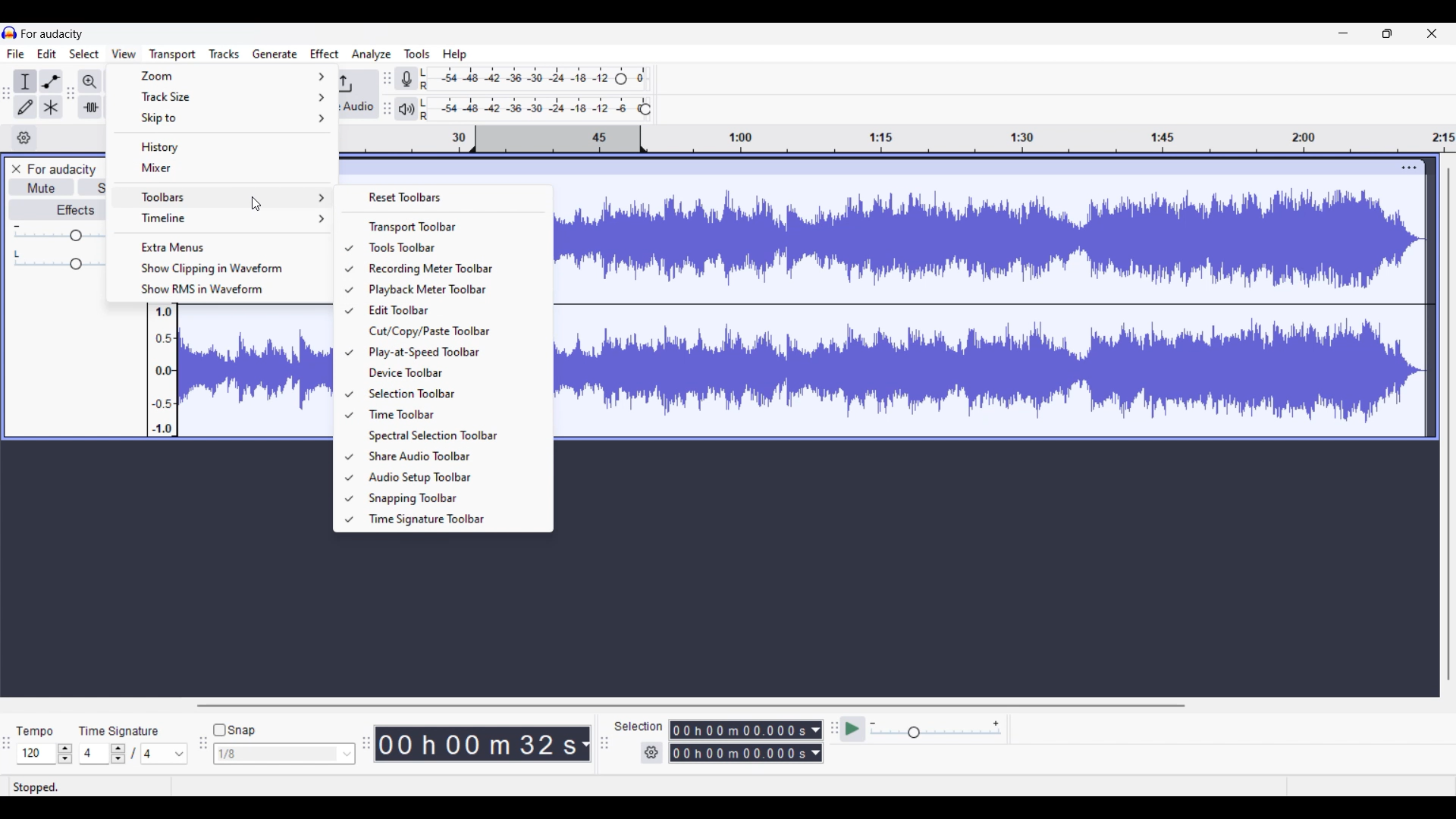  I want to click on Spectral selection toolbar, so click(452, 436).